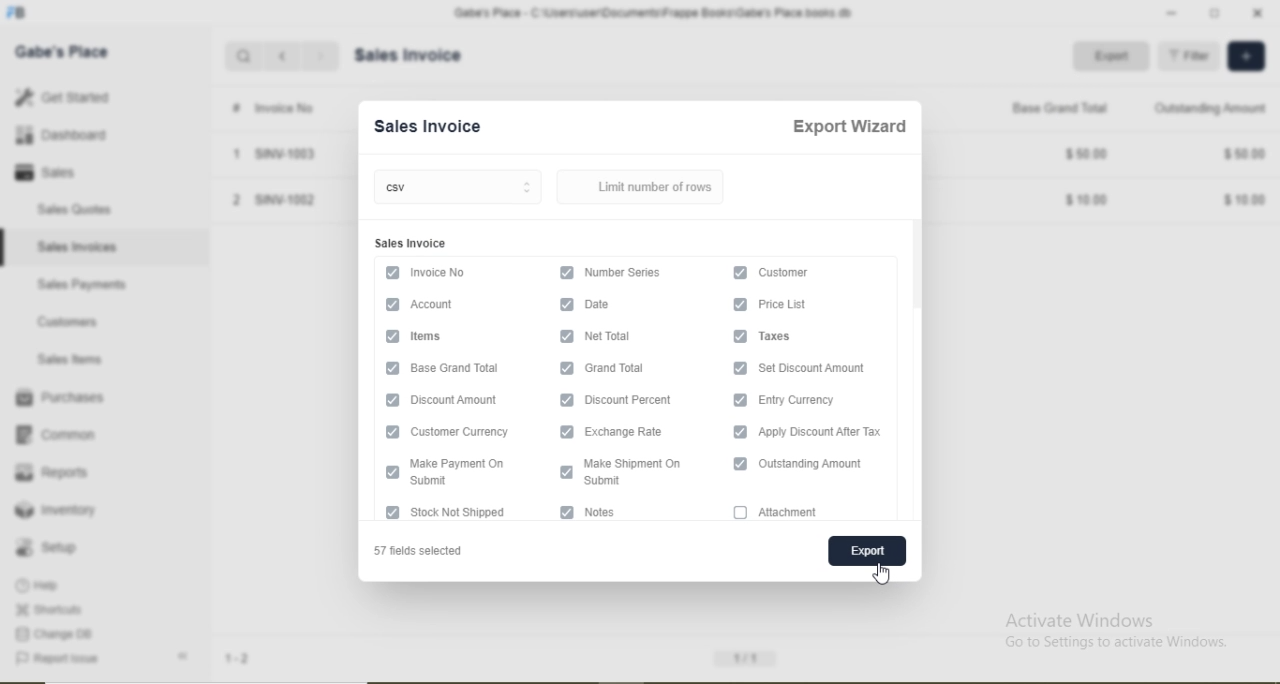 This screenshot has height=684, width=1280. What do you see at coordinates (431, 303) in the screenshot?
I see `Account` at bounding box center [431, 303].